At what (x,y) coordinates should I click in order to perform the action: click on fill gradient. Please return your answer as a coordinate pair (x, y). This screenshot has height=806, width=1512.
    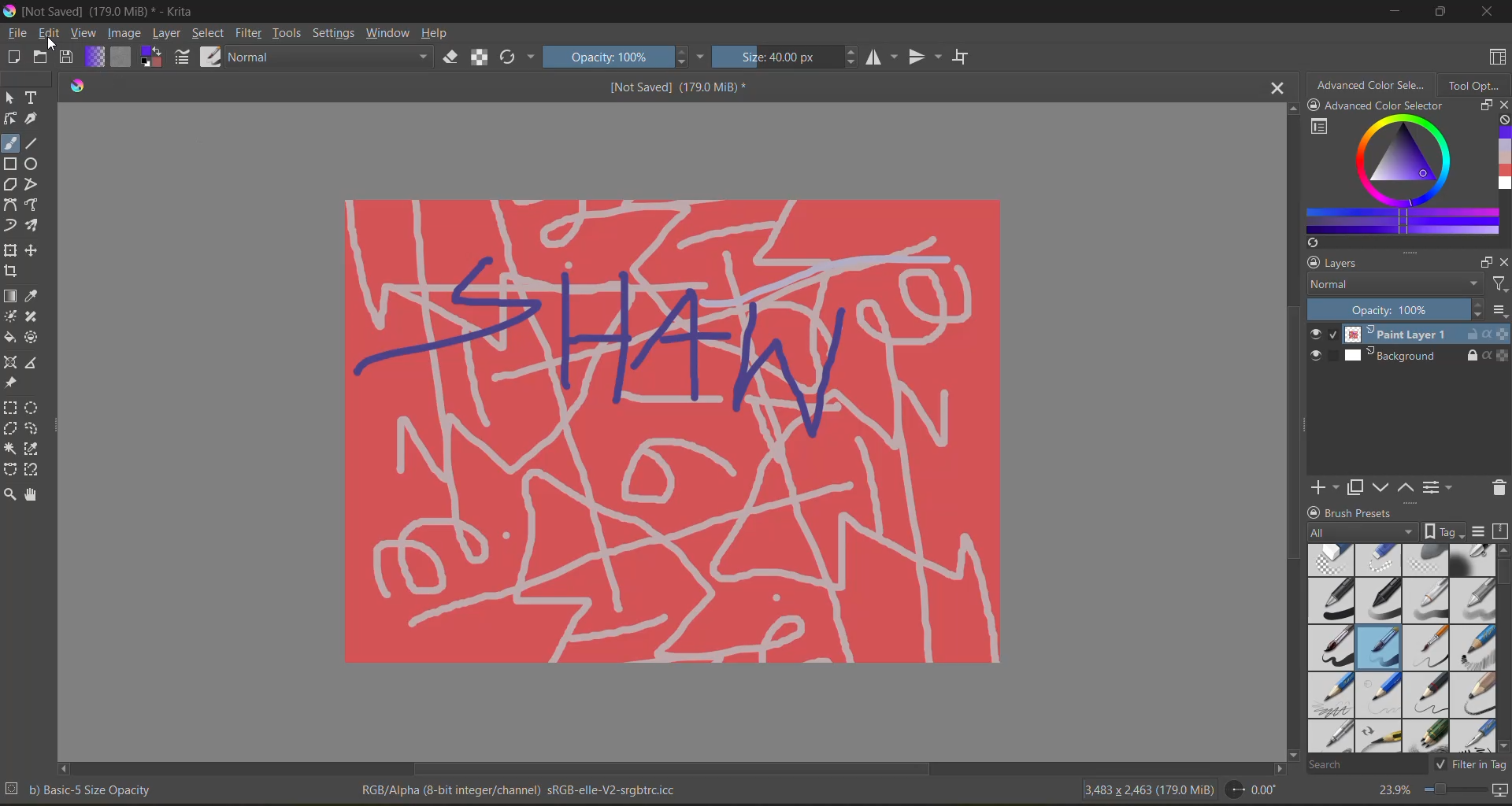
    Looking at the image, I should click on (94, 57).